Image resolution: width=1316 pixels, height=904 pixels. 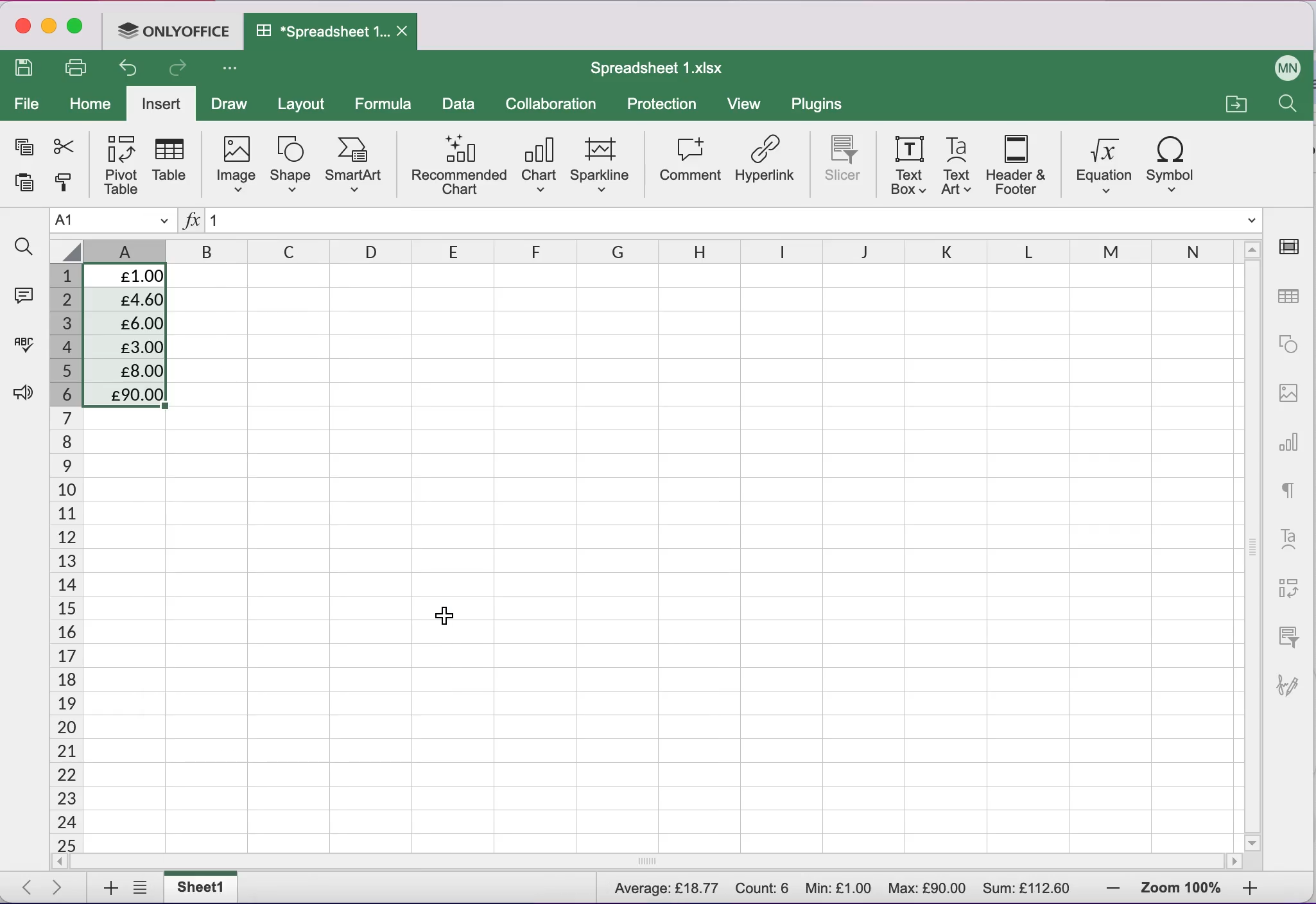 I want to click on copy, so click(x=22, y=148).